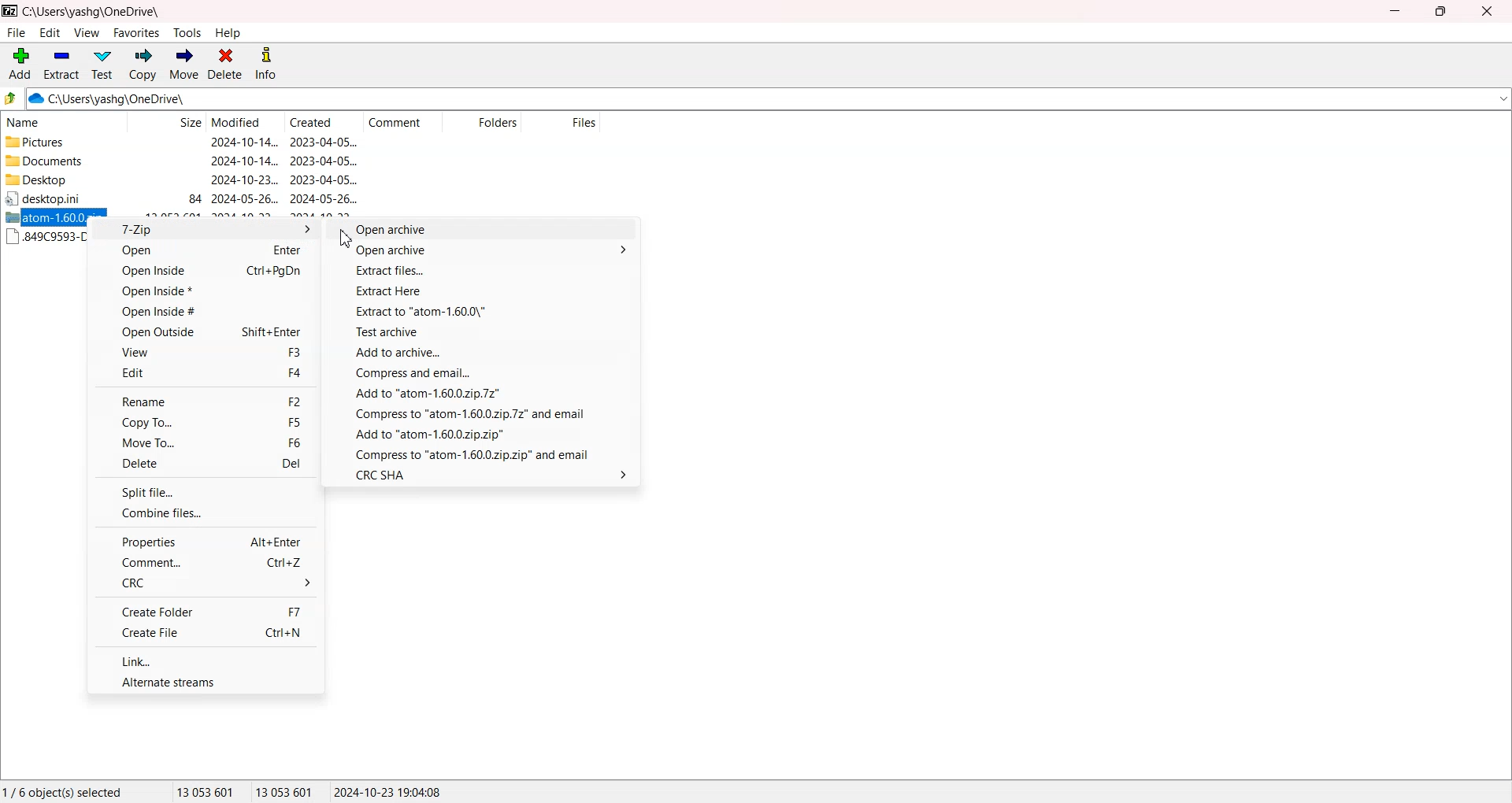  I want to click on Extract Here, so click(485, 292).